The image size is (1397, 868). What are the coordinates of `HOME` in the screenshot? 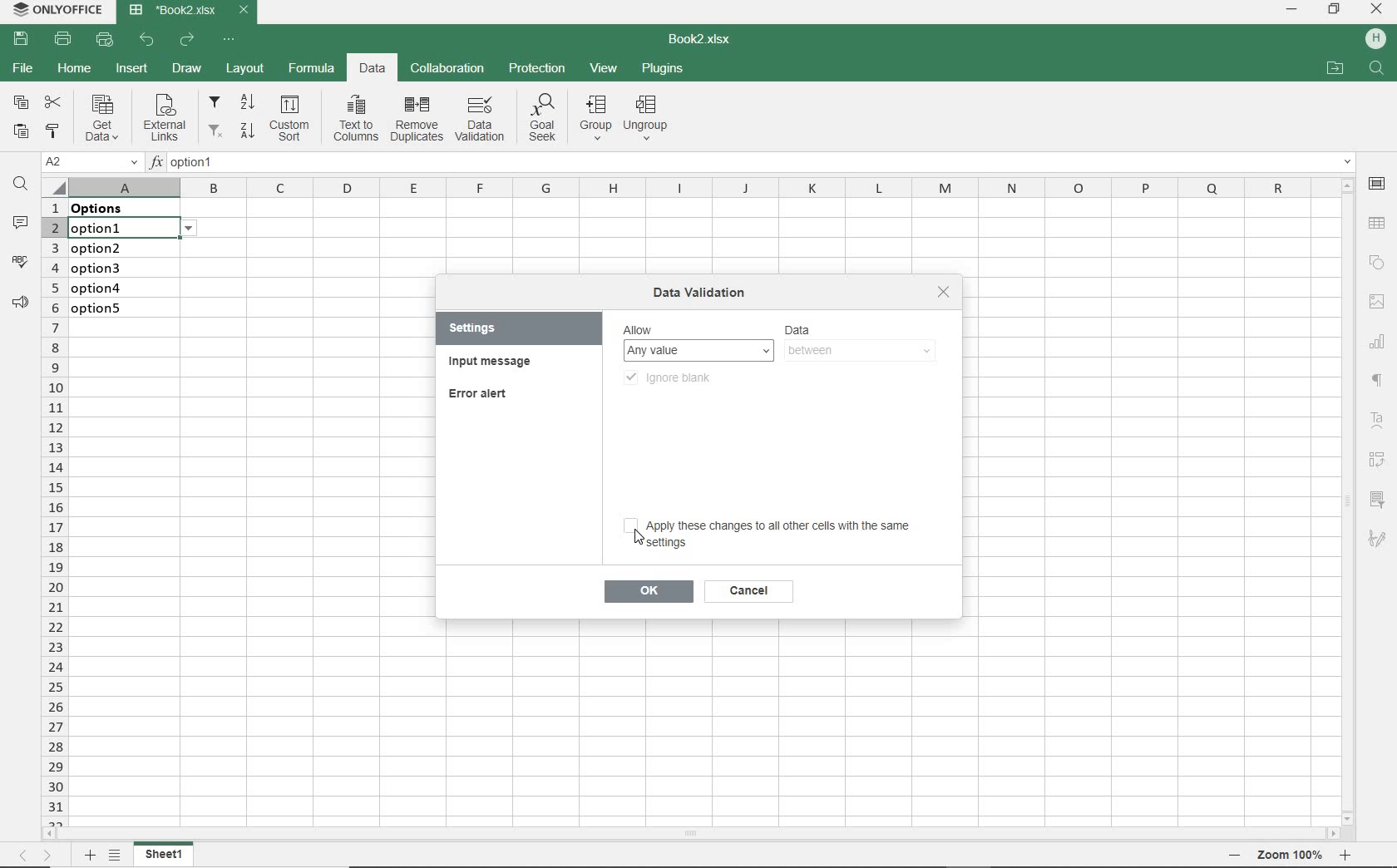 It's located at (74, 72).